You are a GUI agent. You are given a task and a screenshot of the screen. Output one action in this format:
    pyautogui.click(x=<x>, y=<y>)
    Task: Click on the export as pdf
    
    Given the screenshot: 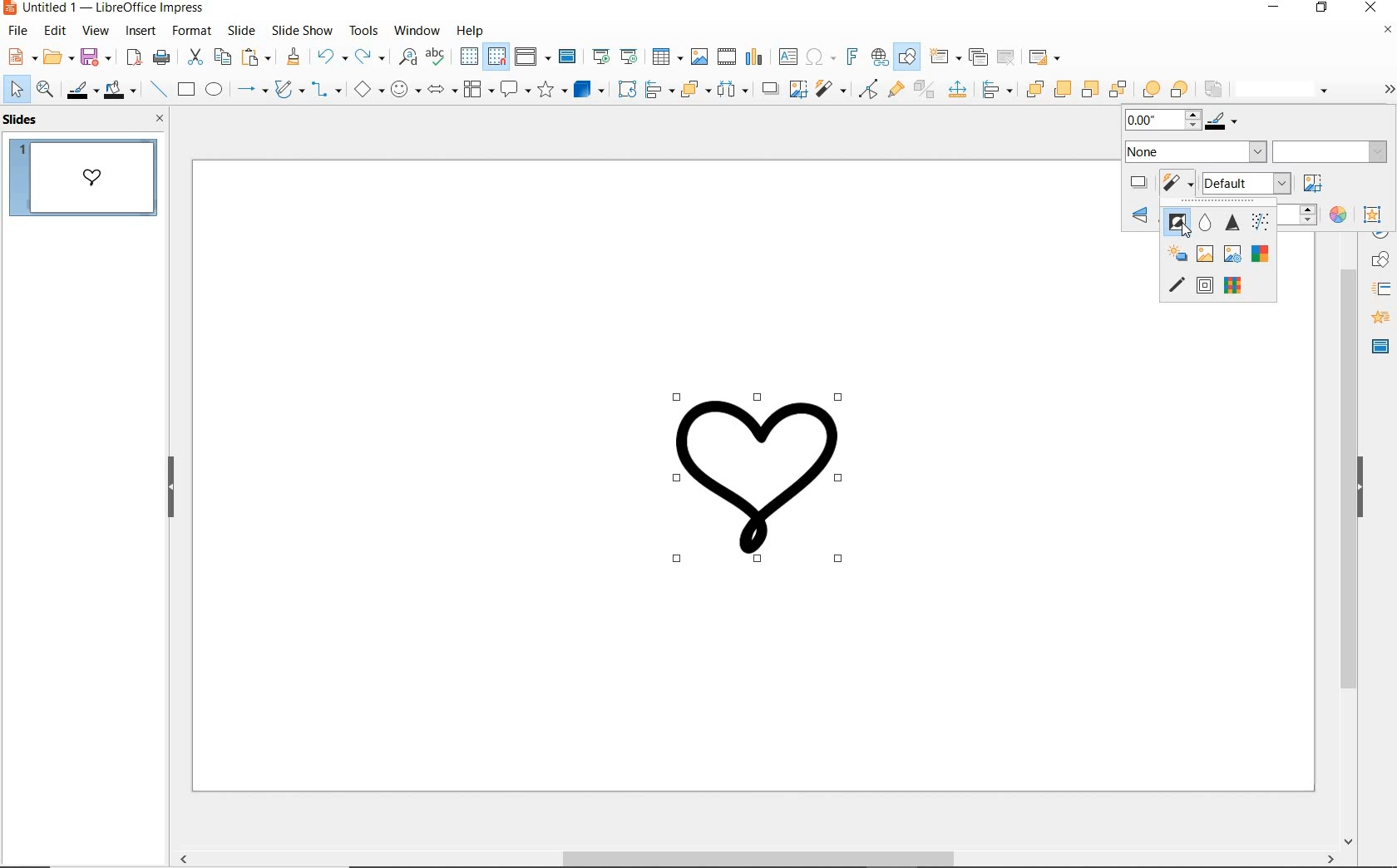 What is the action you would take?
    pyautogui.click(x=134, y=57)
    